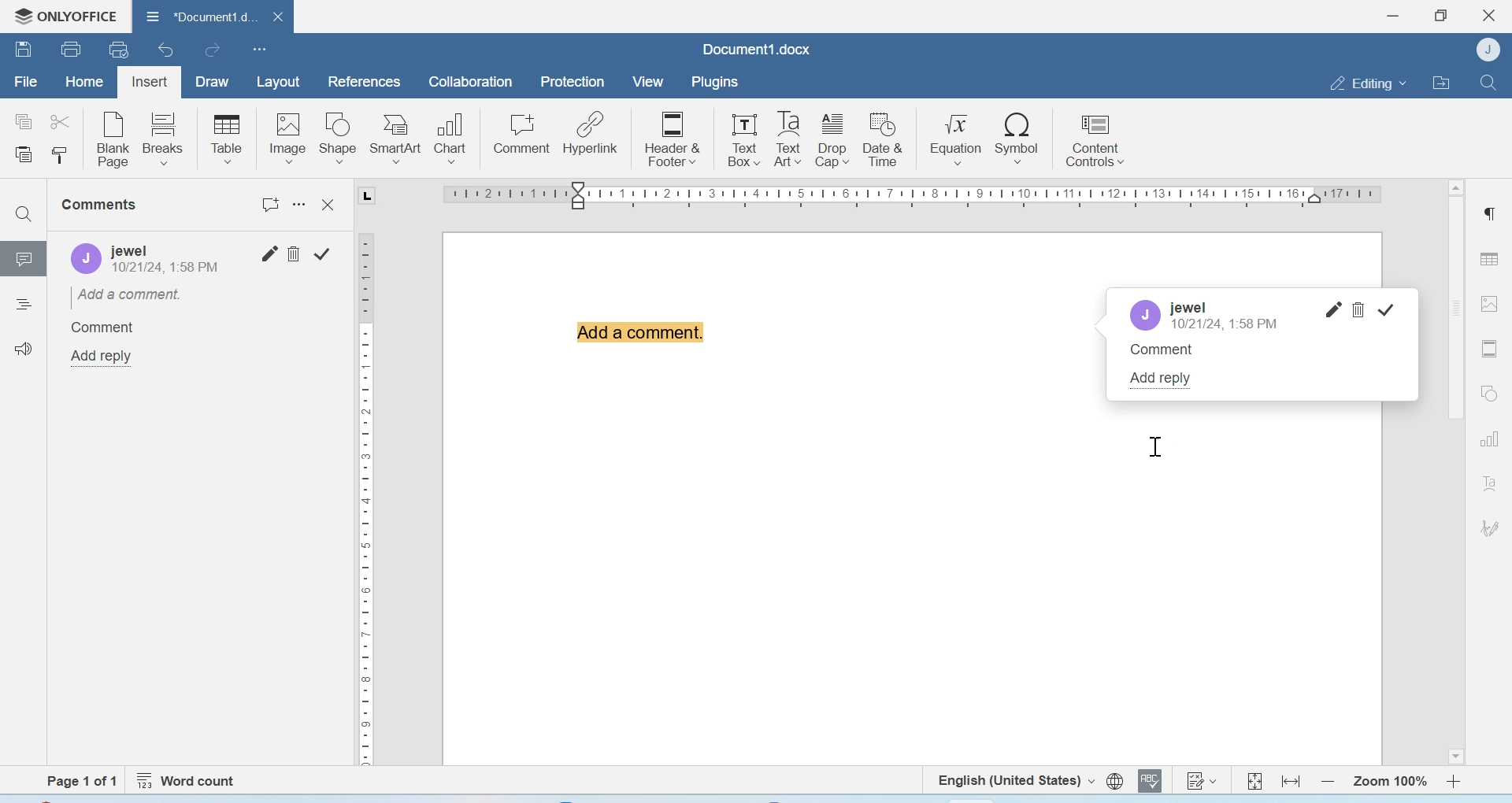 This screenshot has width=1512, height=803. What do you see at coordinates (834, 139) in the screenshot?
I see `Drop cafe` at bounding box center [834, 139].